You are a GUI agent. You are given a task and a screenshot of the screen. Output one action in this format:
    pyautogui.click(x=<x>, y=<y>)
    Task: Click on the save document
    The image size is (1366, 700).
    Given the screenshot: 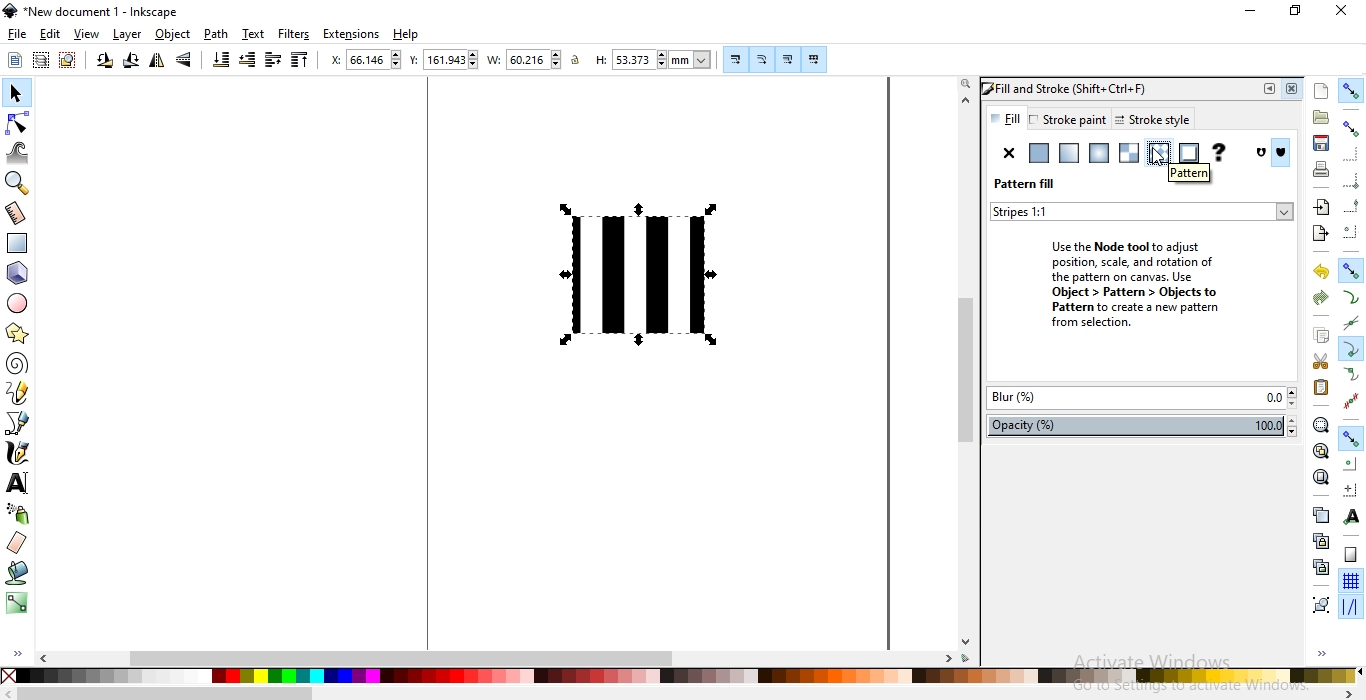 What is the action you would take?
    pyautogui.click(x=1322, y=144)
    